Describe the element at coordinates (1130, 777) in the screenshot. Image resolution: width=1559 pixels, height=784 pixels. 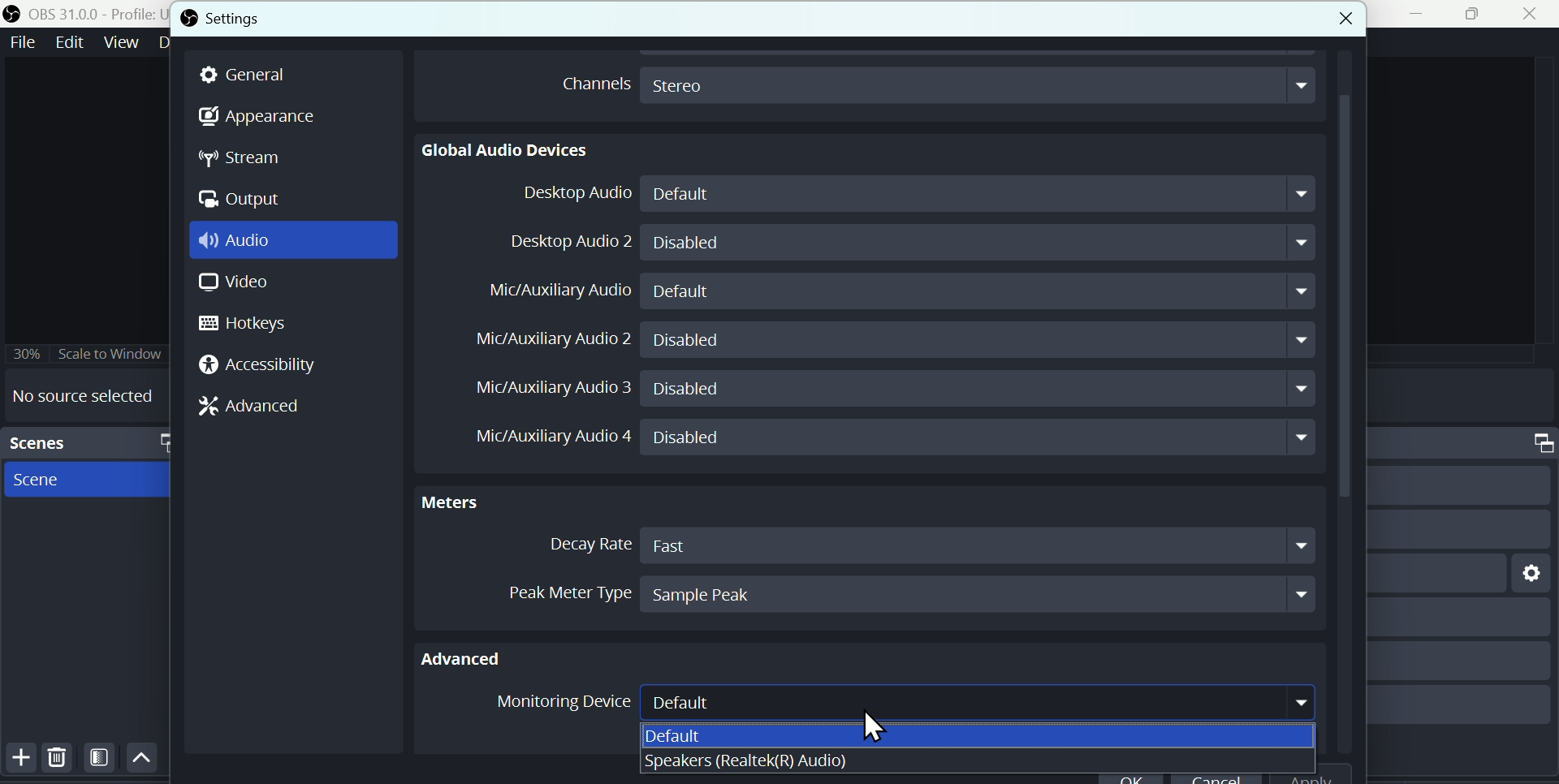
I see `ok` at that location.